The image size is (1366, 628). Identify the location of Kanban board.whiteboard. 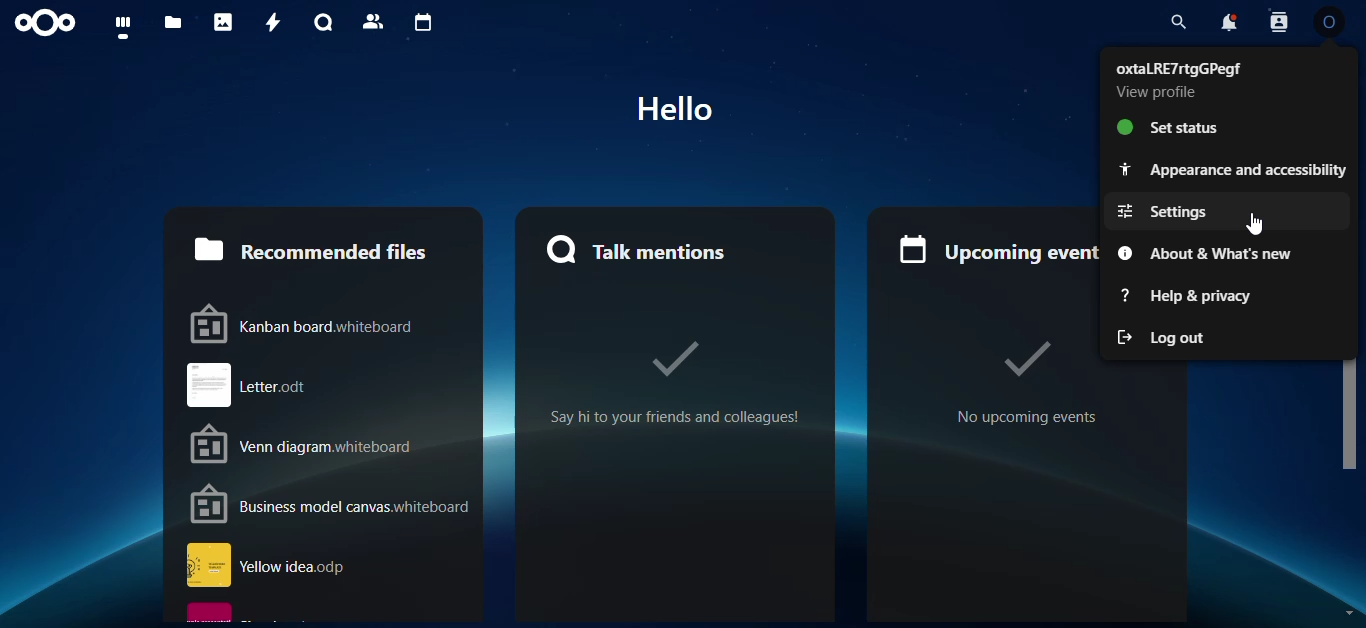
(332, 323).